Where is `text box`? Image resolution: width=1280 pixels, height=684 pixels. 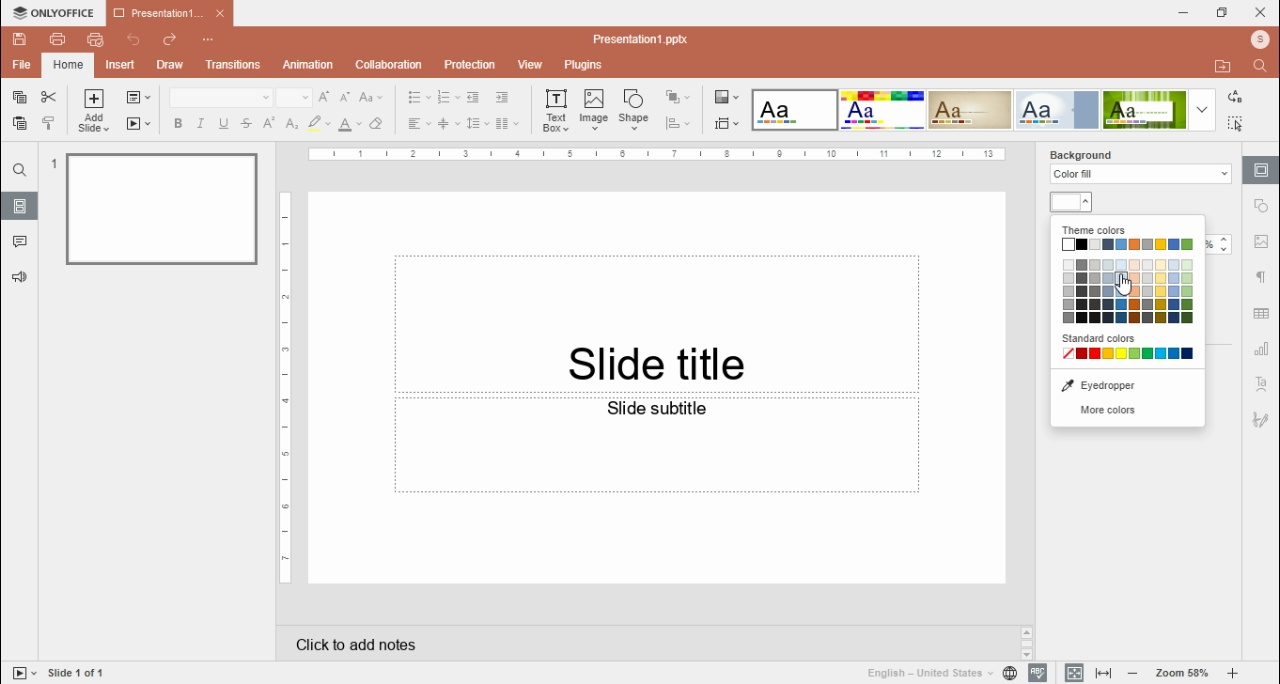
text box is located at coordinates (657, 321).